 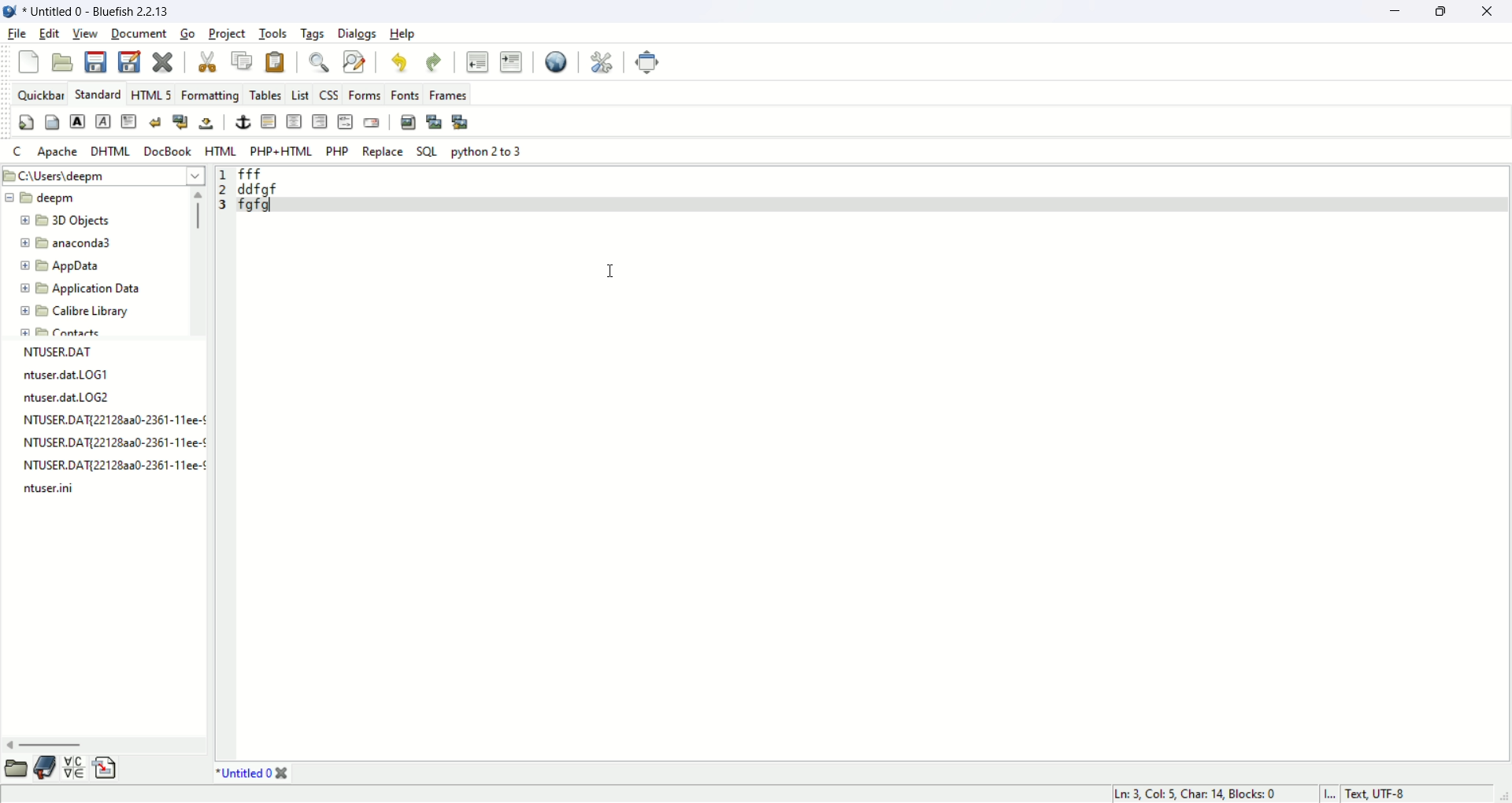 What do you see at coordinates (209, 94) in the screenshot?
I see `formatting` at bounding box center [209, 94].